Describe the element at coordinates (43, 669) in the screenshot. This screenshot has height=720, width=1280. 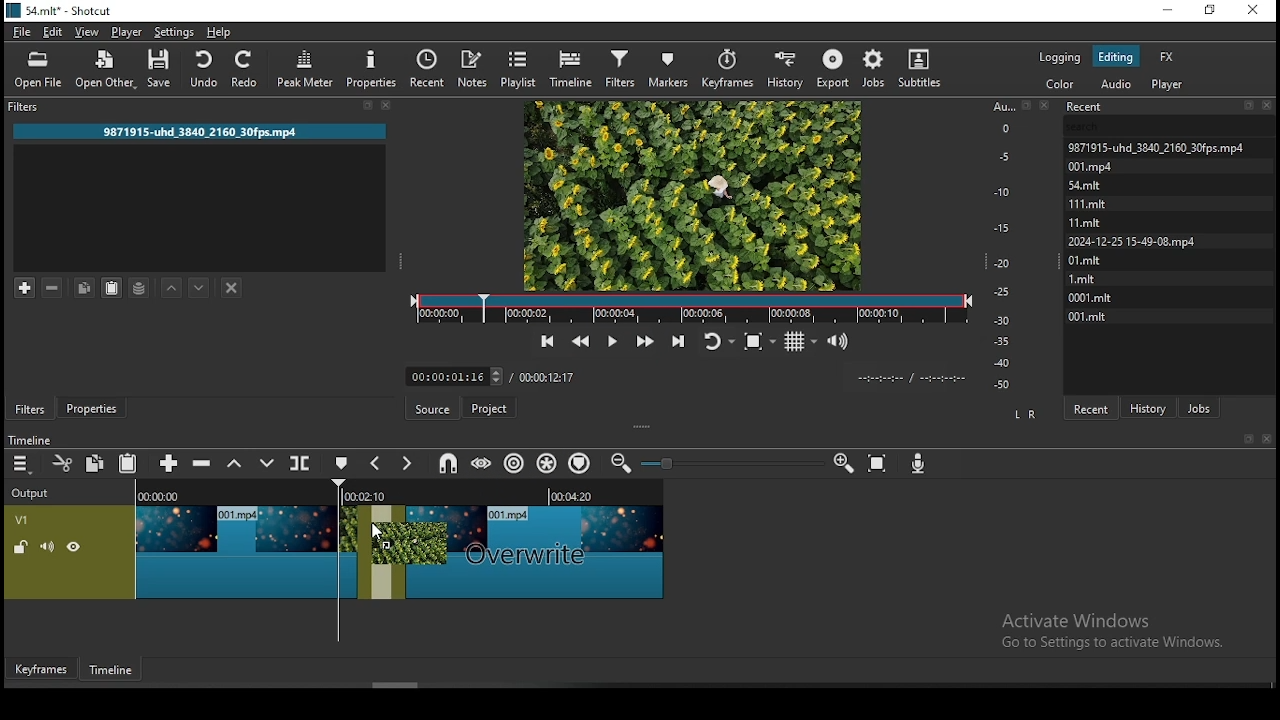
I see `keyframe` at that location.